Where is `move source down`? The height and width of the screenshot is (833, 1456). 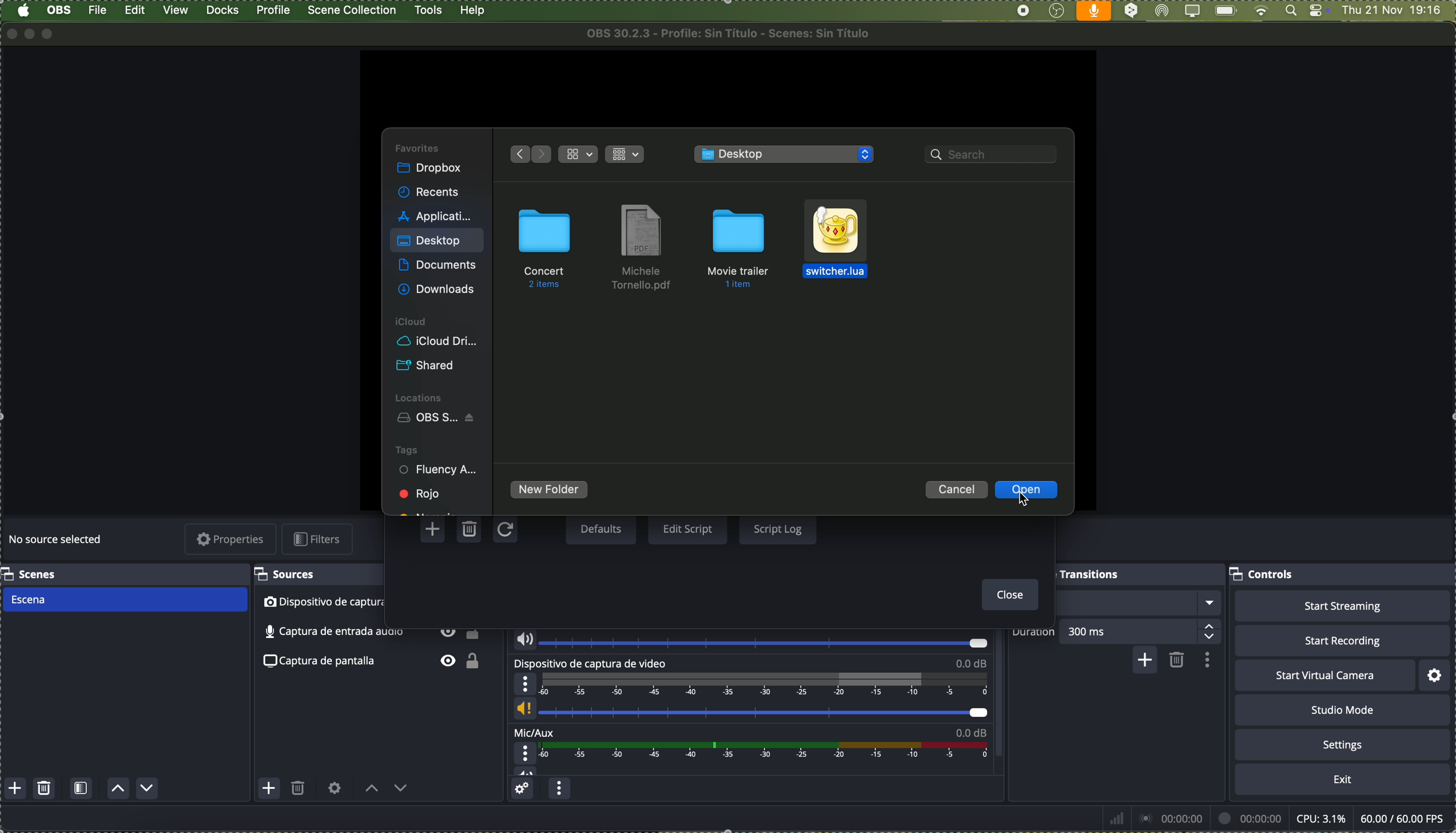
move source down is located at coordinates (399, 791).